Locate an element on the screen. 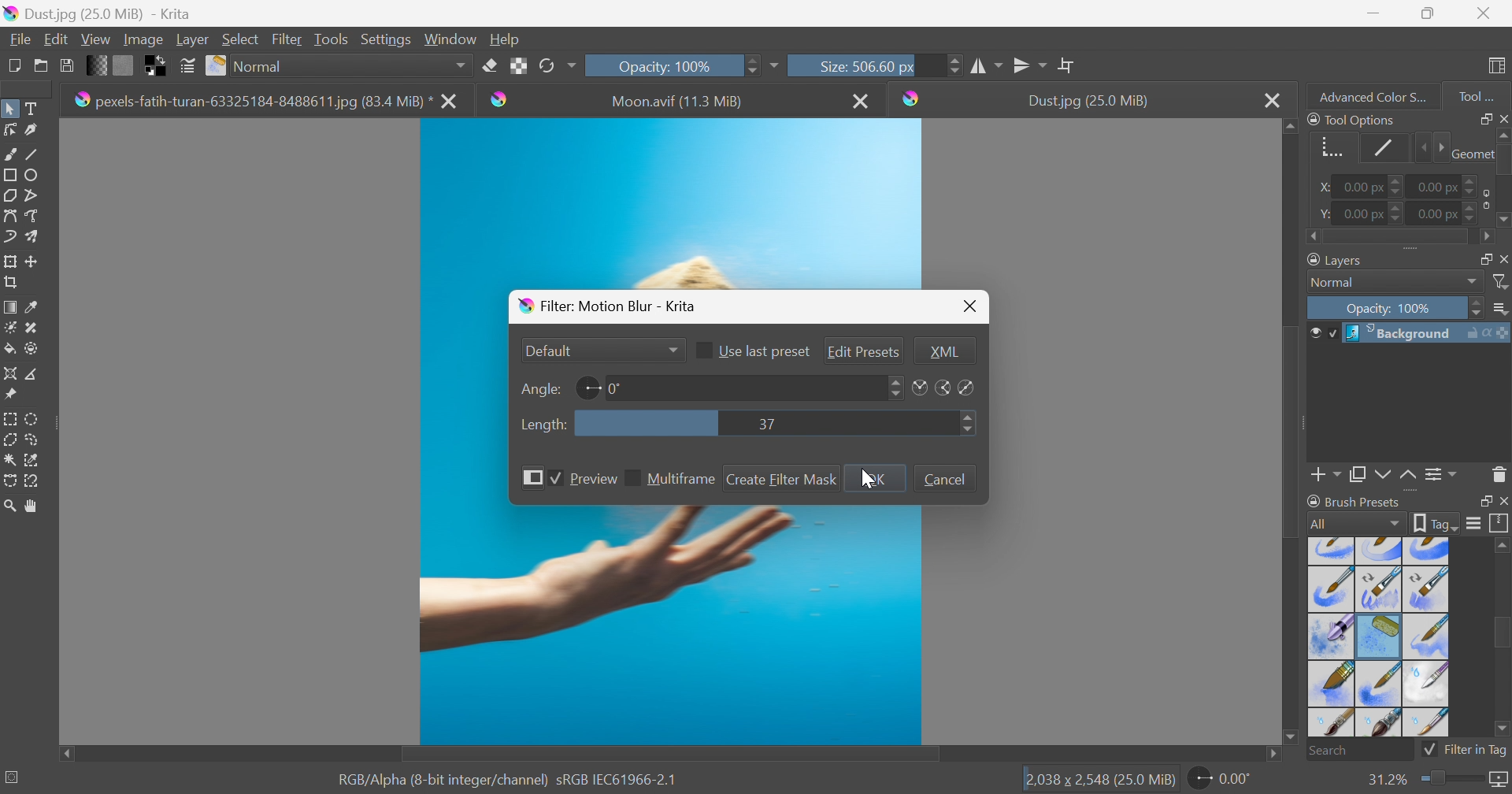 This screenshot has height=794, width=1512. All is located at coordinates (1355, 523).